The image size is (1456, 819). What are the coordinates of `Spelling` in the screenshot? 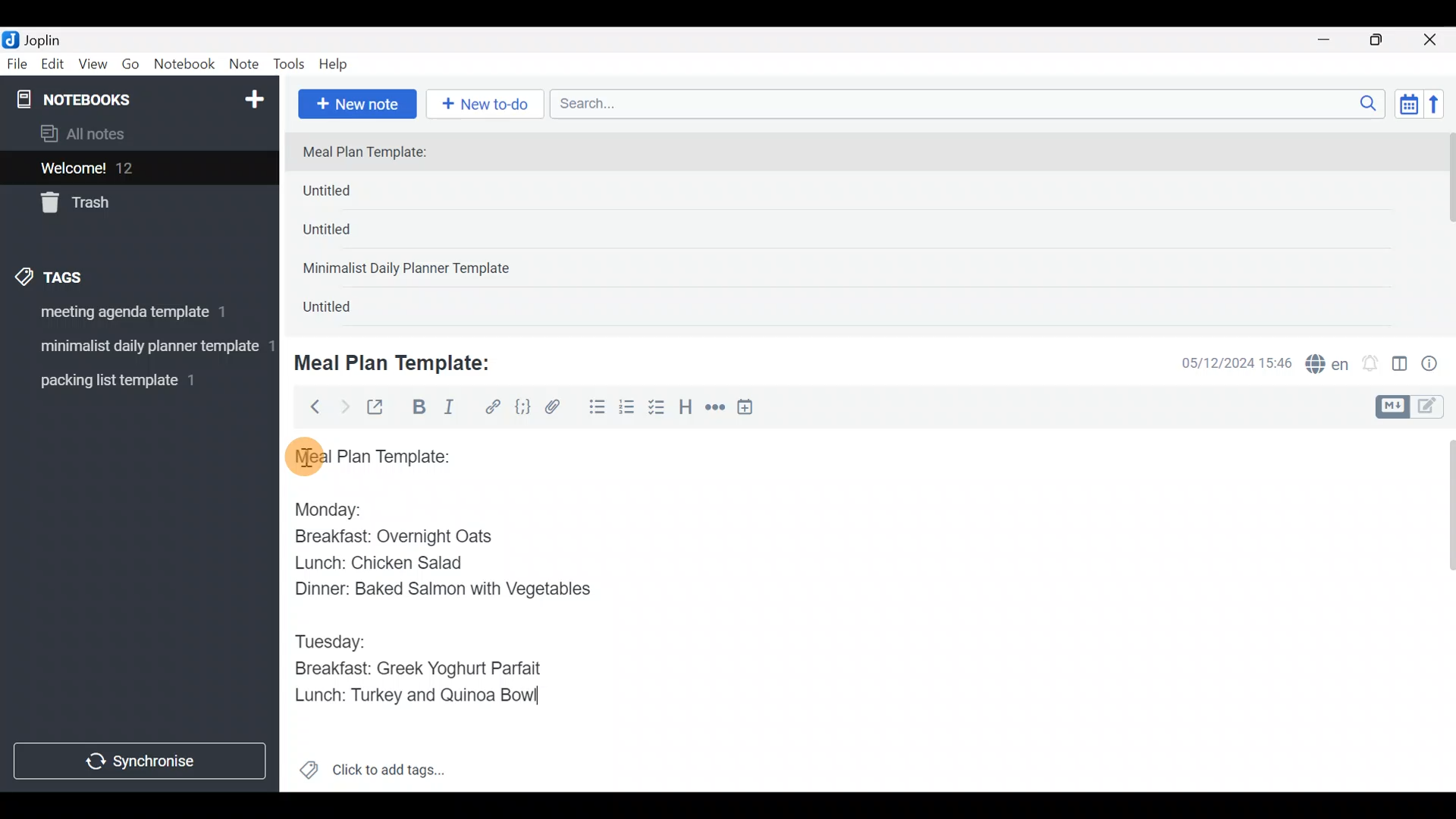 It's located at (1328, 366).